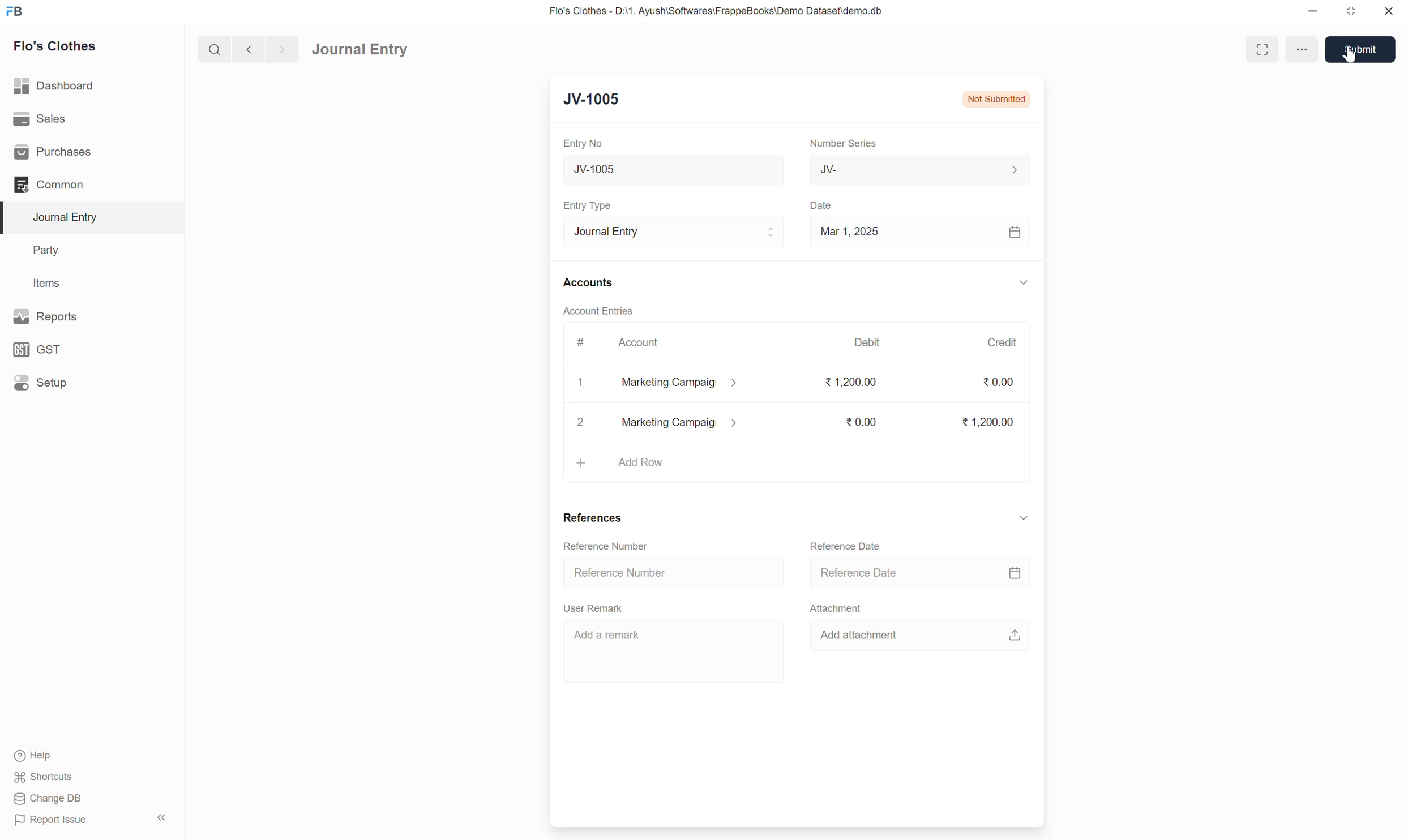 This screenshot has height=840, width=1408. What do you see at coordinates (1365, 50) in the screenshot?
I see `submit` at bounding box center [1365, 50].